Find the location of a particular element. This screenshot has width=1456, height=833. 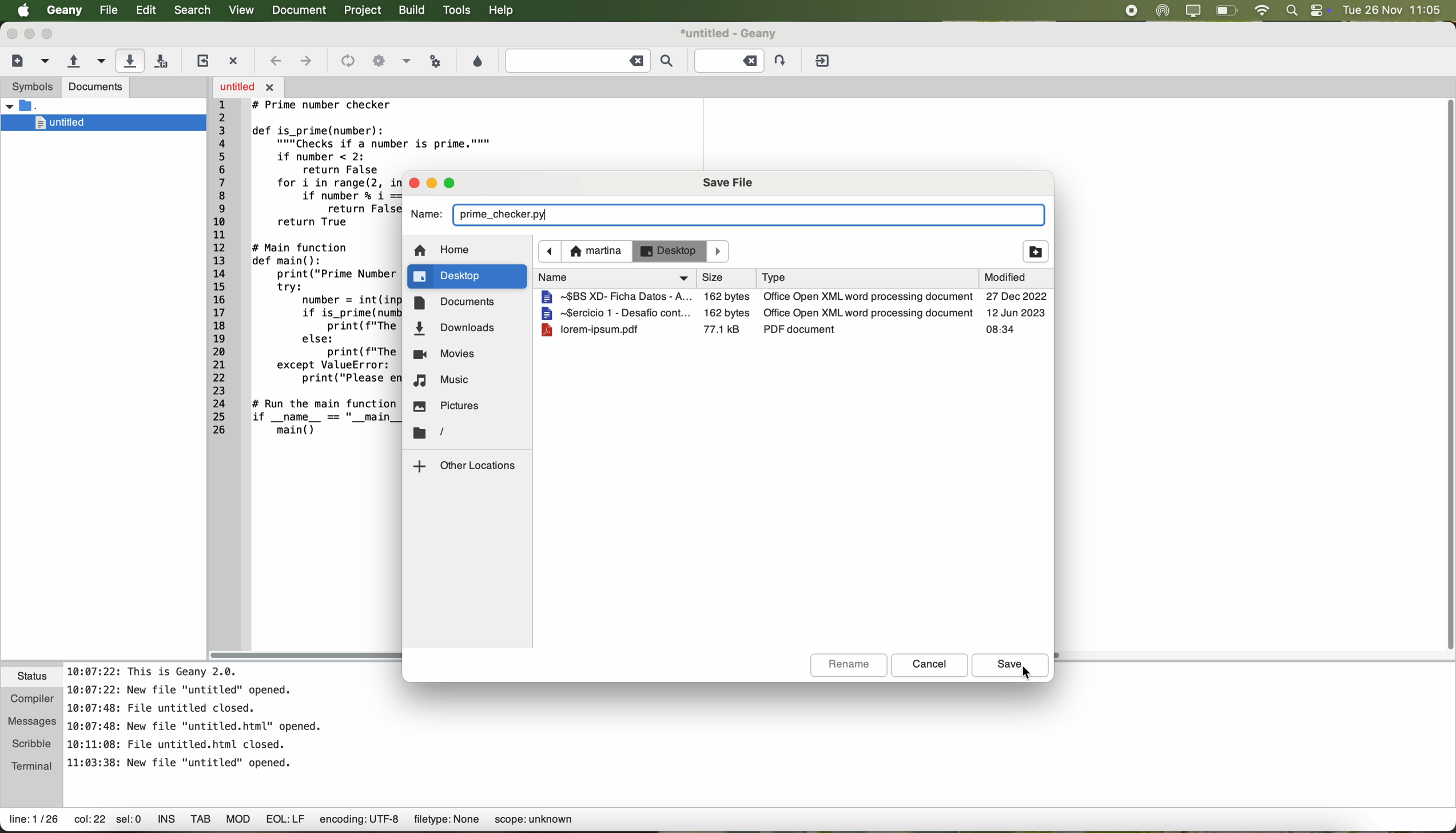

Jump to the entered line number is located at coordinates (742, 59).